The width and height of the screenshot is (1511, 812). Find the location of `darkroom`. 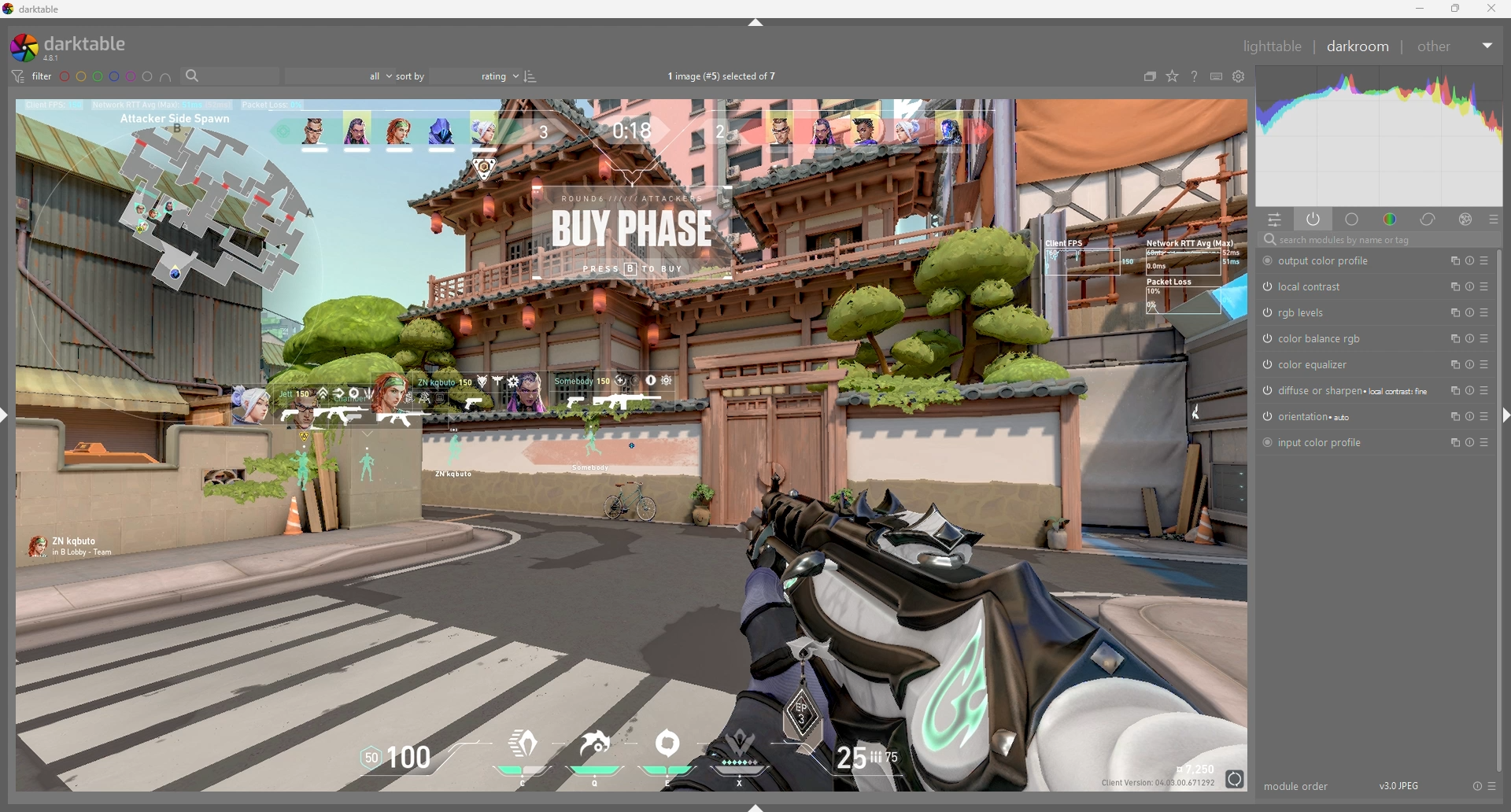

darkroom is located at coordinates (1360, 46).